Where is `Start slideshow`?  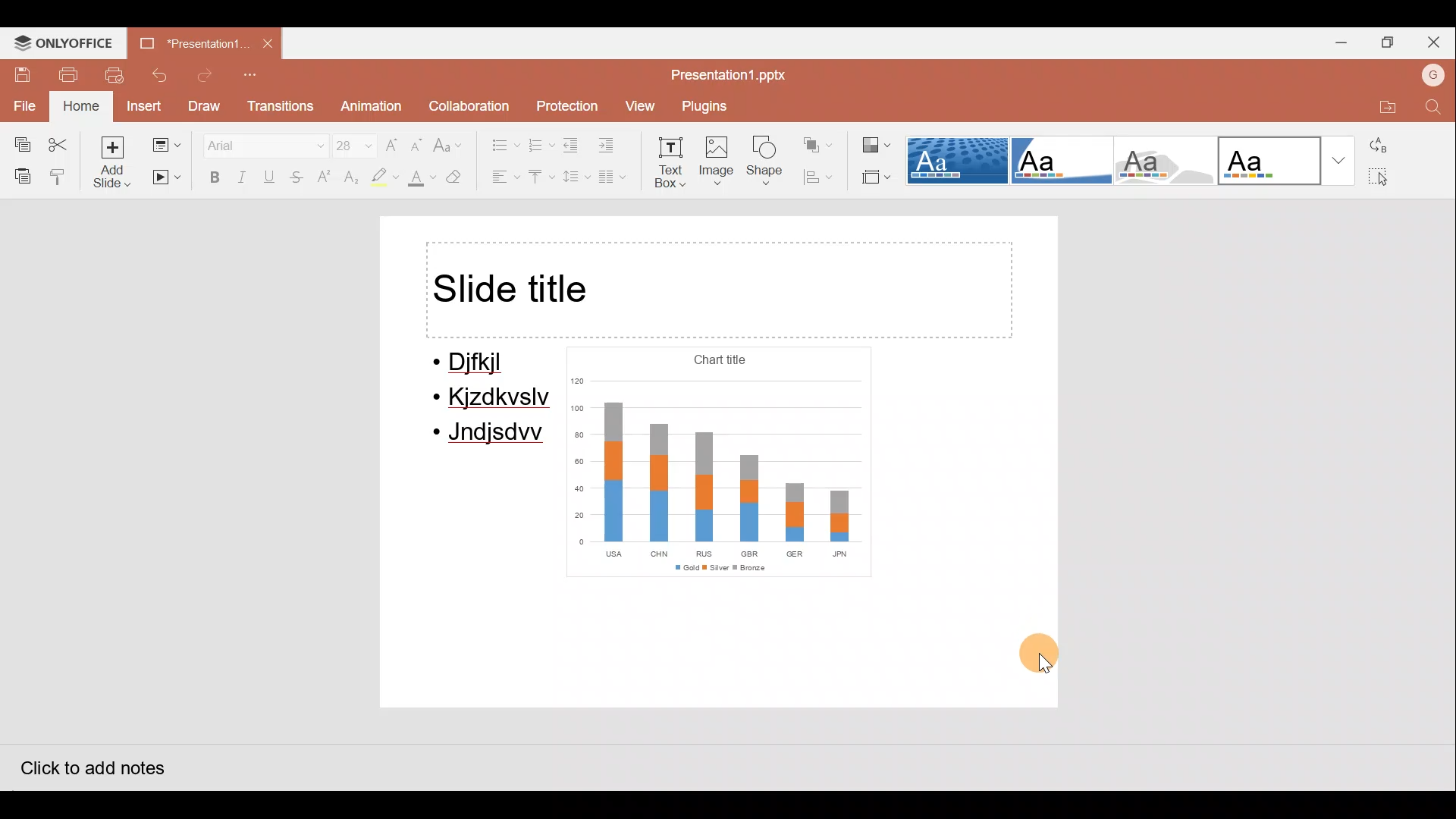
Start slideshow is located at coordinates (165, 180).